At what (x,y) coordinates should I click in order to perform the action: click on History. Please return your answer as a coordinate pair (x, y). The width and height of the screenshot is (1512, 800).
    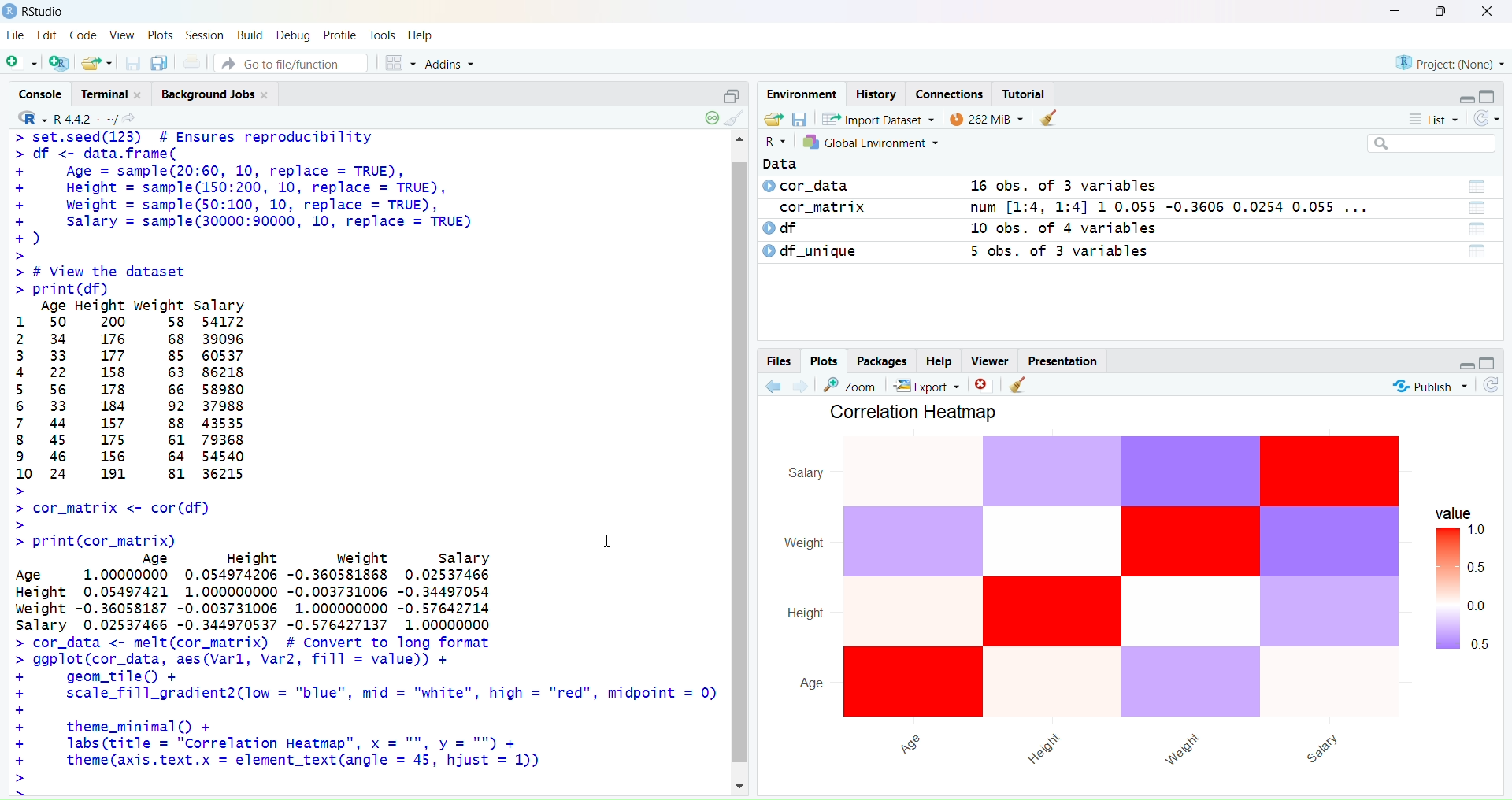
    Looking at the image, I should click on (877, 94).